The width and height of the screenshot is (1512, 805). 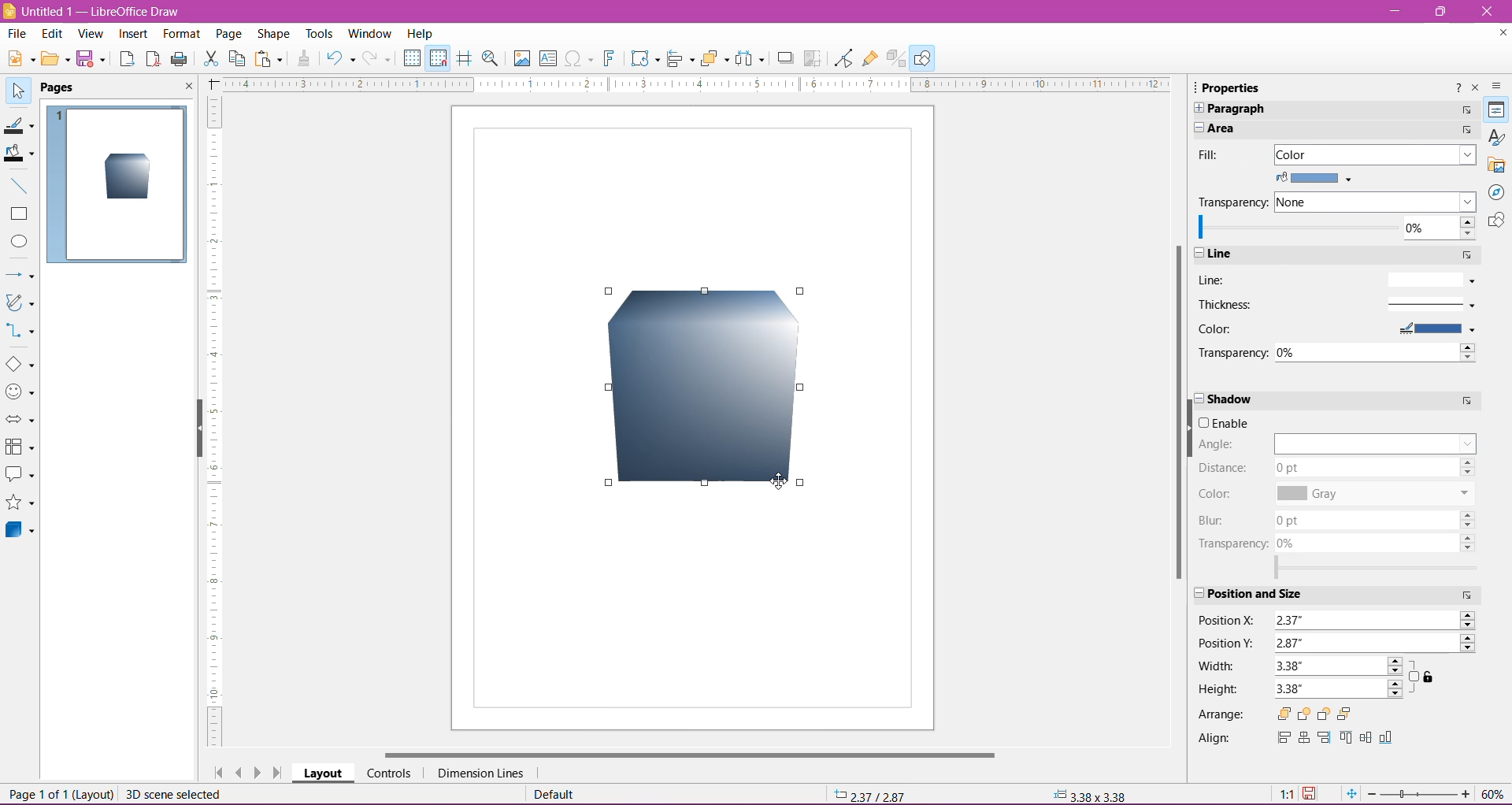 What do you see at coordinates (19, 124) in the screenshot?
I see `Line Color` at bounding box center [19, 124].